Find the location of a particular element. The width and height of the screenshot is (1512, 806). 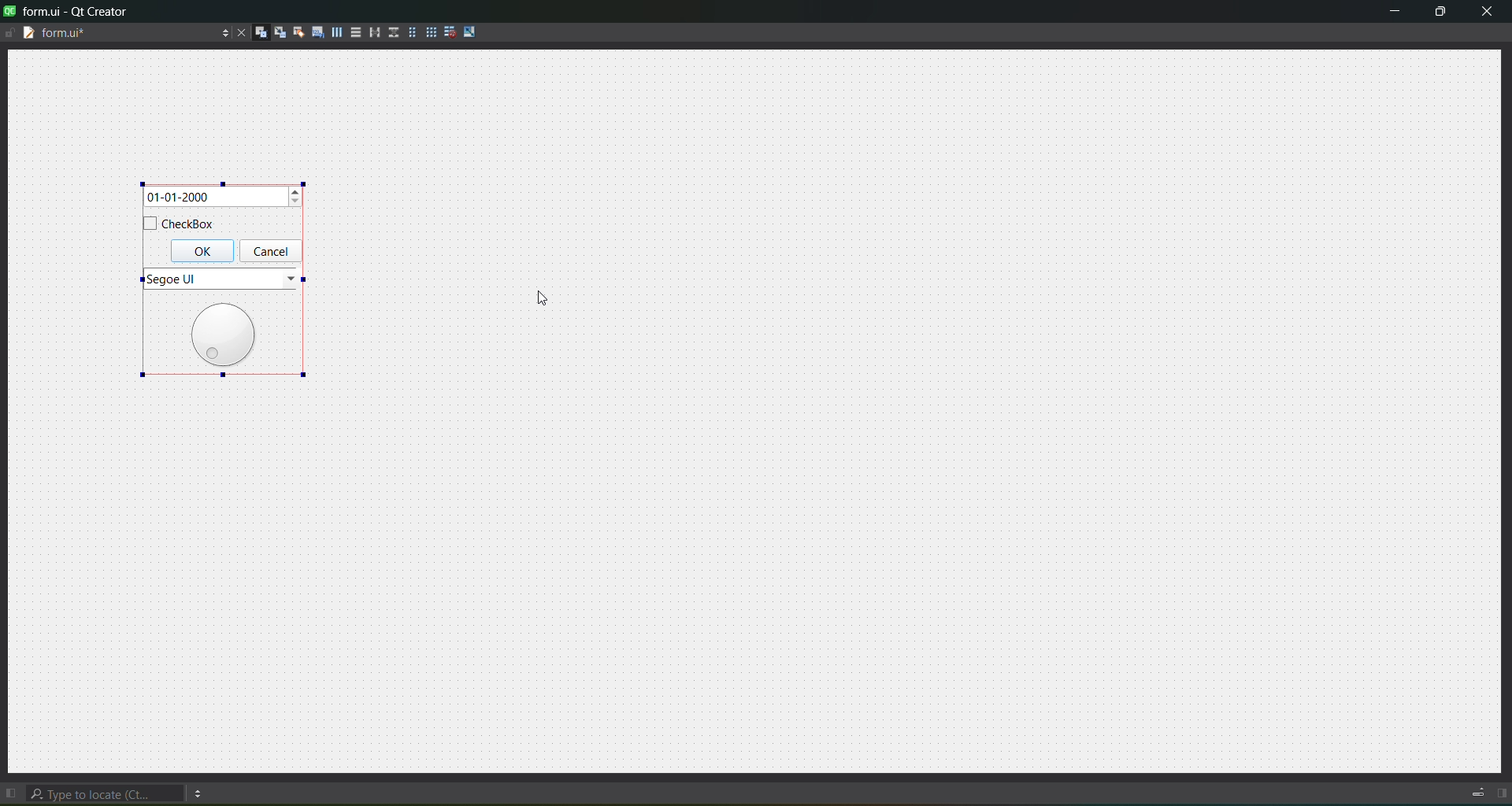

Layout Vertical Splitter is located at coordinates (393, 31).